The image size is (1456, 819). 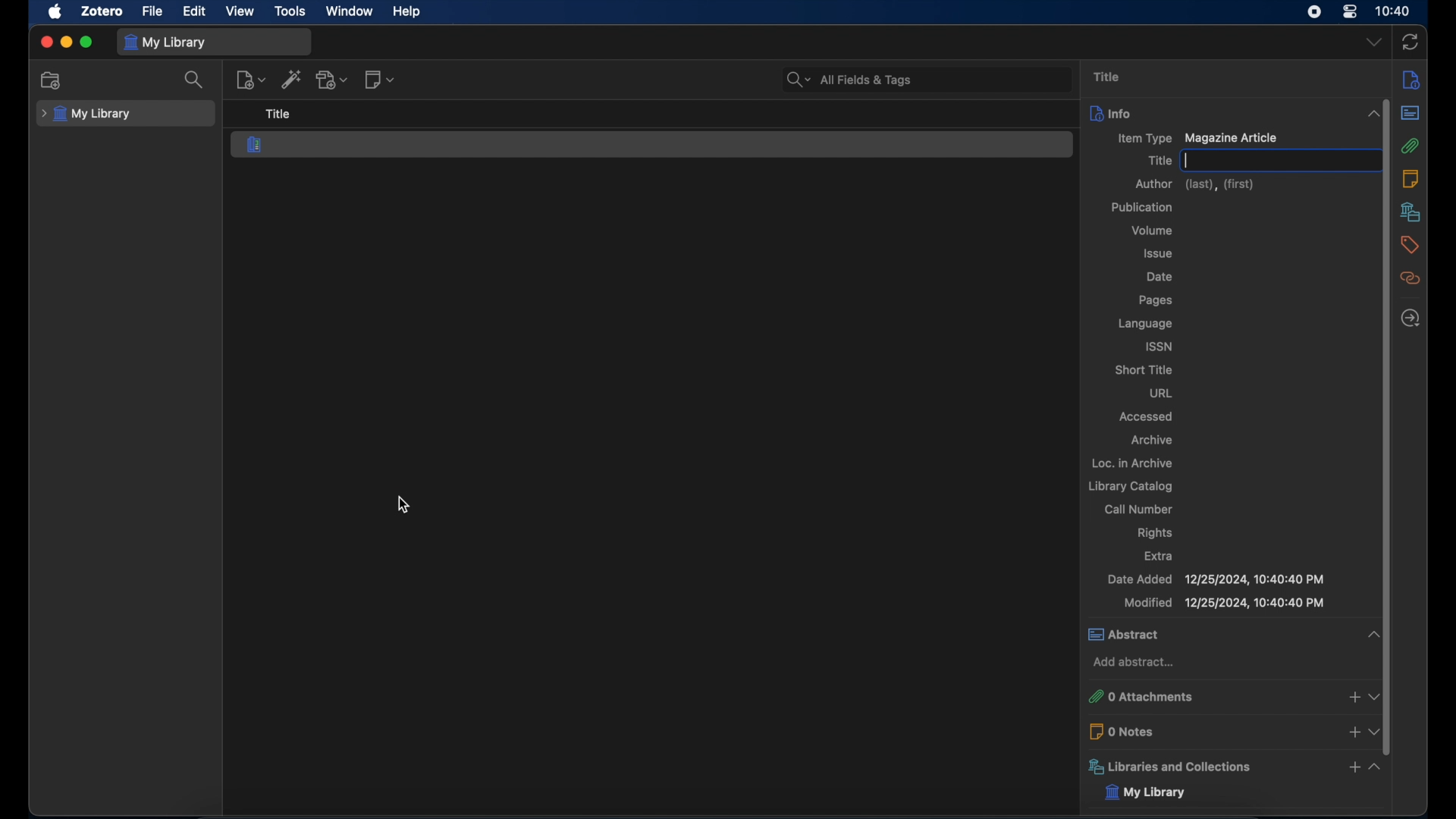 What do you see at coordinates (1230, 731) in the screenshot?
I see `0 notes` at bounding box center [1230, 731].